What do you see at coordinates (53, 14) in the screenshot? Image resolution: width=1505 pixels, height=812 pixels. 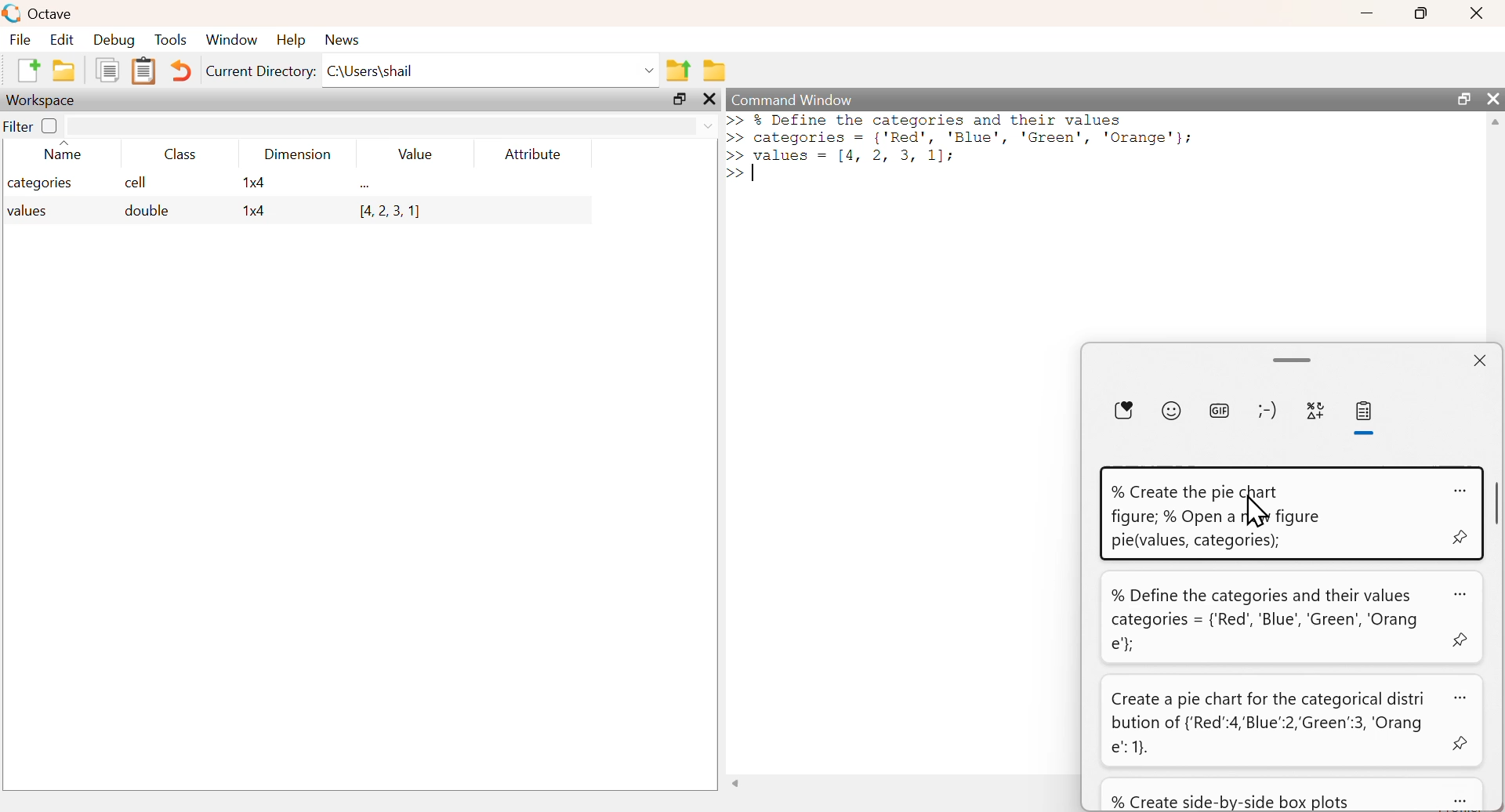 I see `Octave` at bounding box center [53, 14].